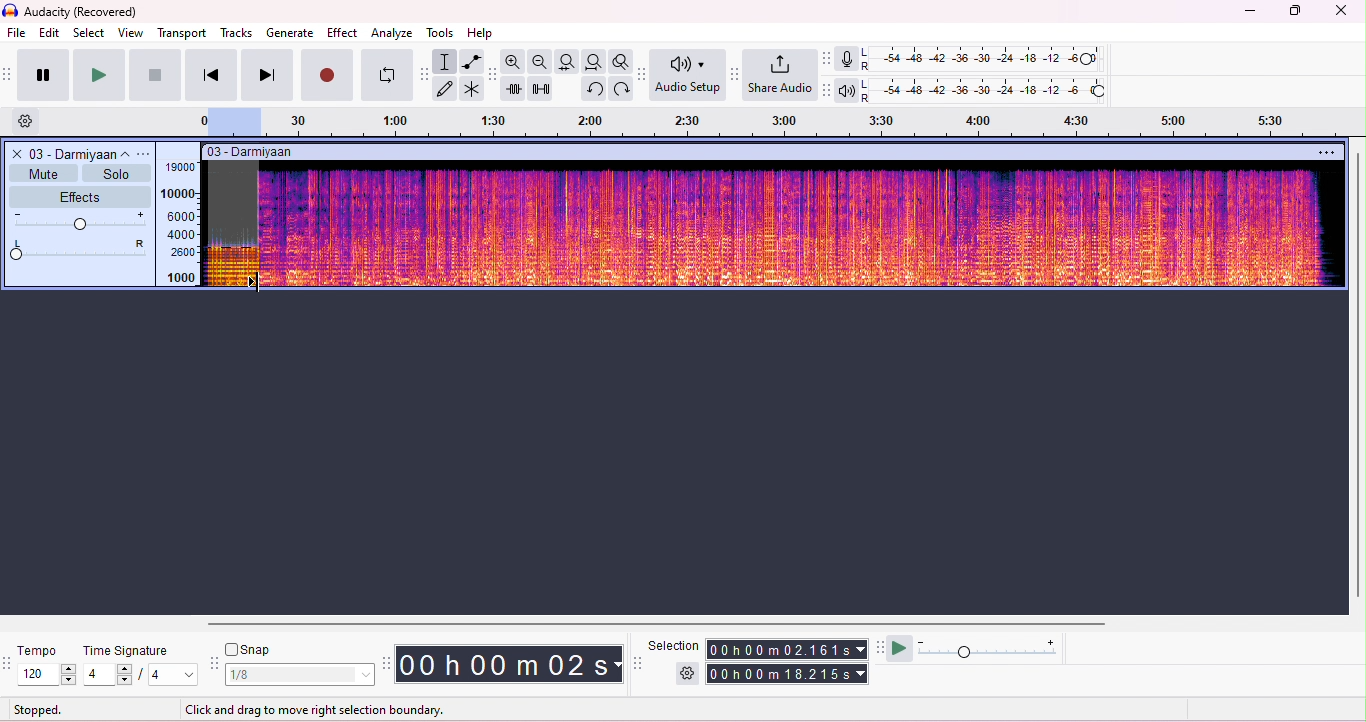 Image resolution: width=1366 pixels, height=722 pixels. What do you see at coordinates (424, 75) in the screenshot?
I see `tools toolbar` at bounding box center [424, 75].